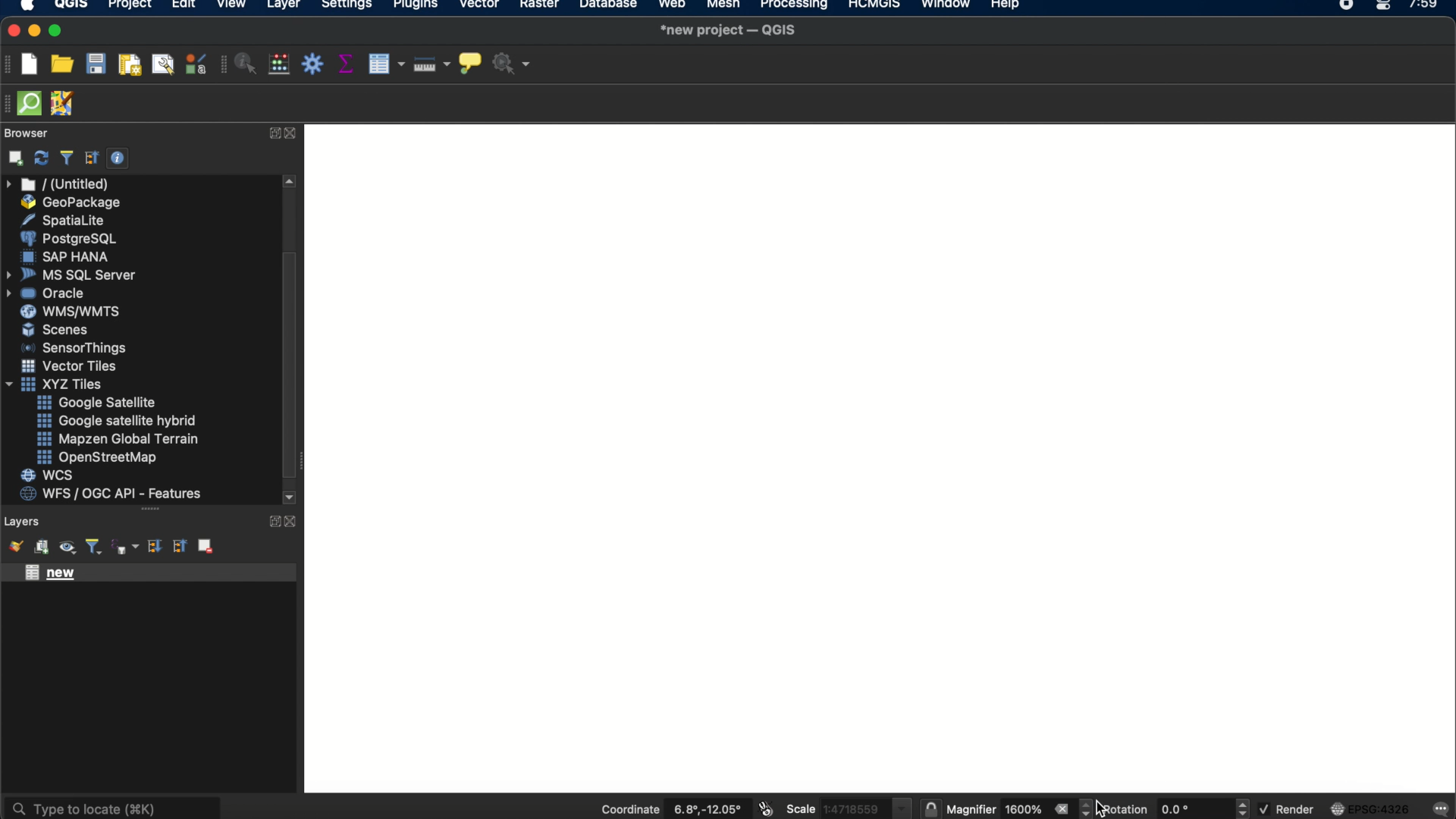 This screenshot has width=1456, height=819. I want to click on new shape file , so click(56, 574).